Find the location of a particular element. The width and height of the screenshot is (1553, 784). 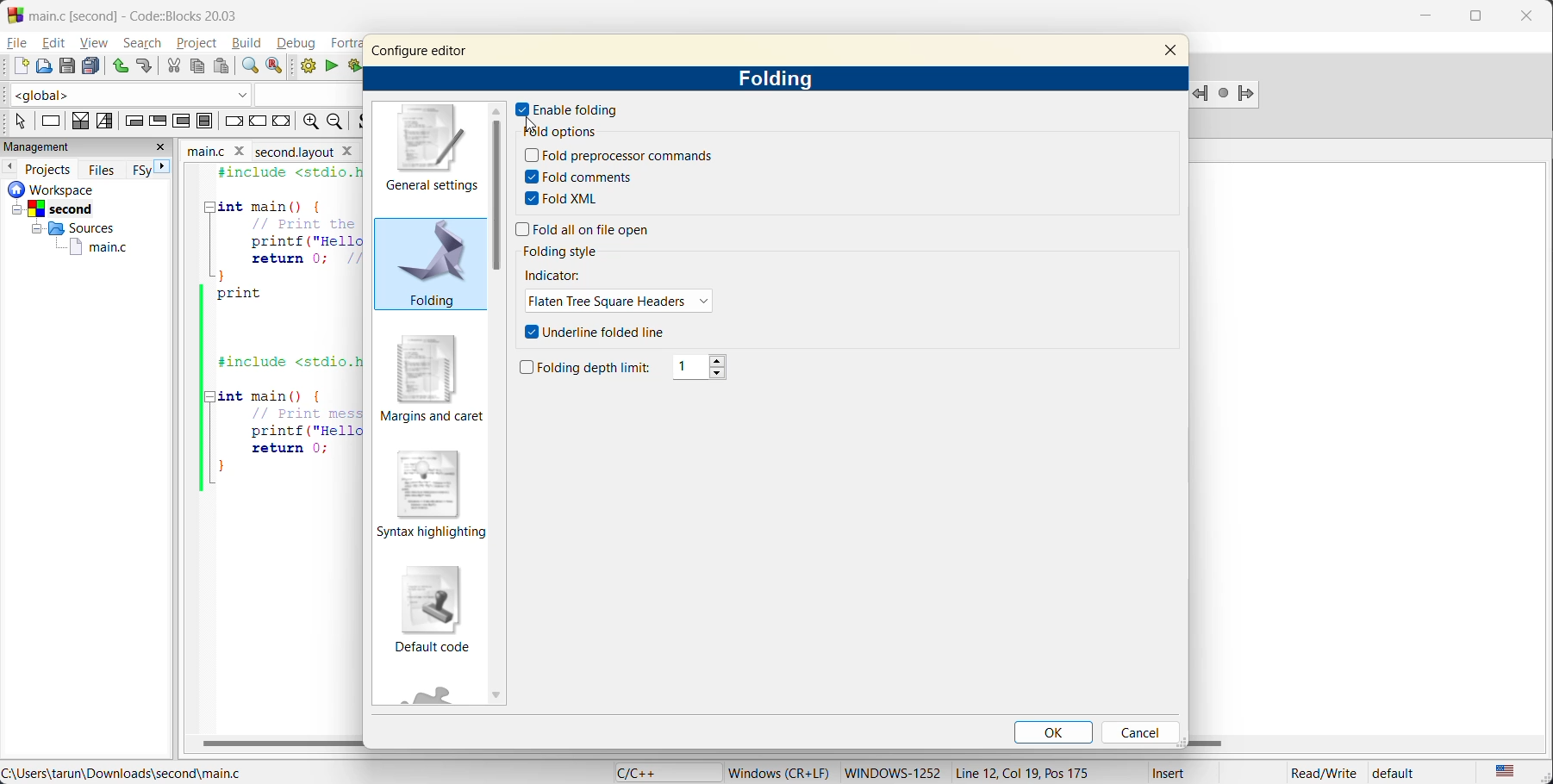

code completion compiler is located at coordinates (178, 92).